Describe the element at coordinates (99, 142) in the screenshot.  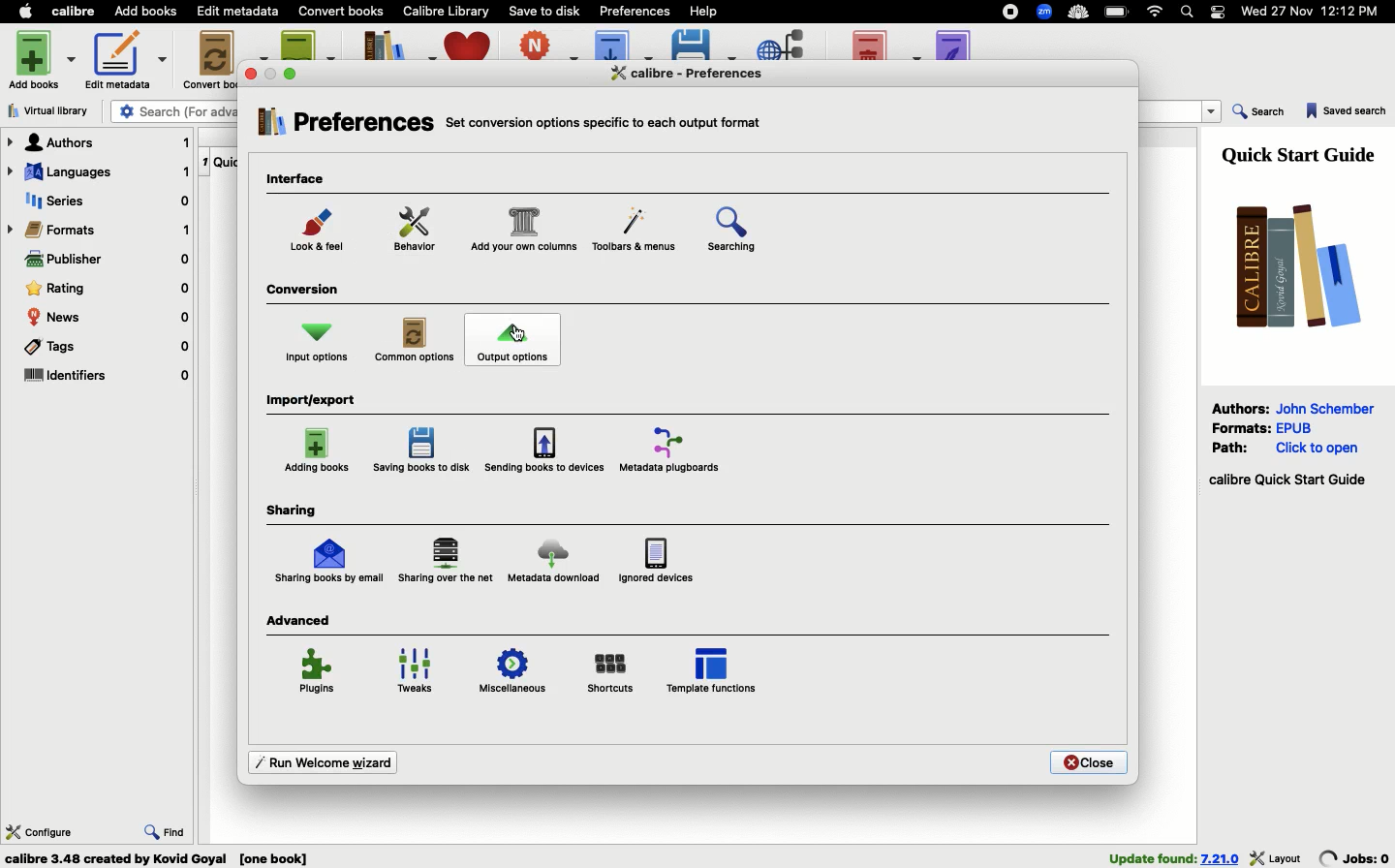
I see `Authors` at that location.